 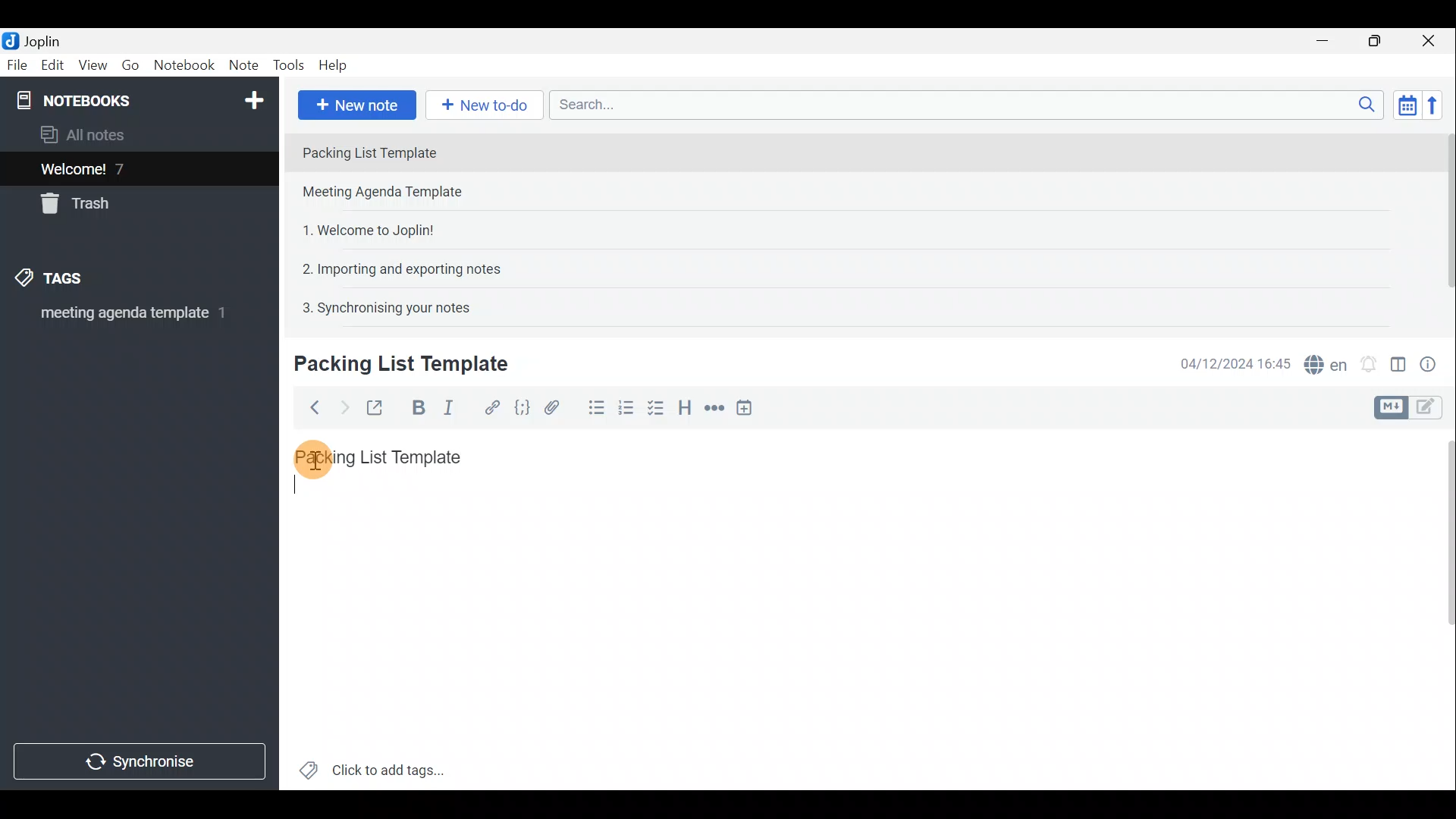 I want to click on Scroll bar, so click(x=1442, y=221).